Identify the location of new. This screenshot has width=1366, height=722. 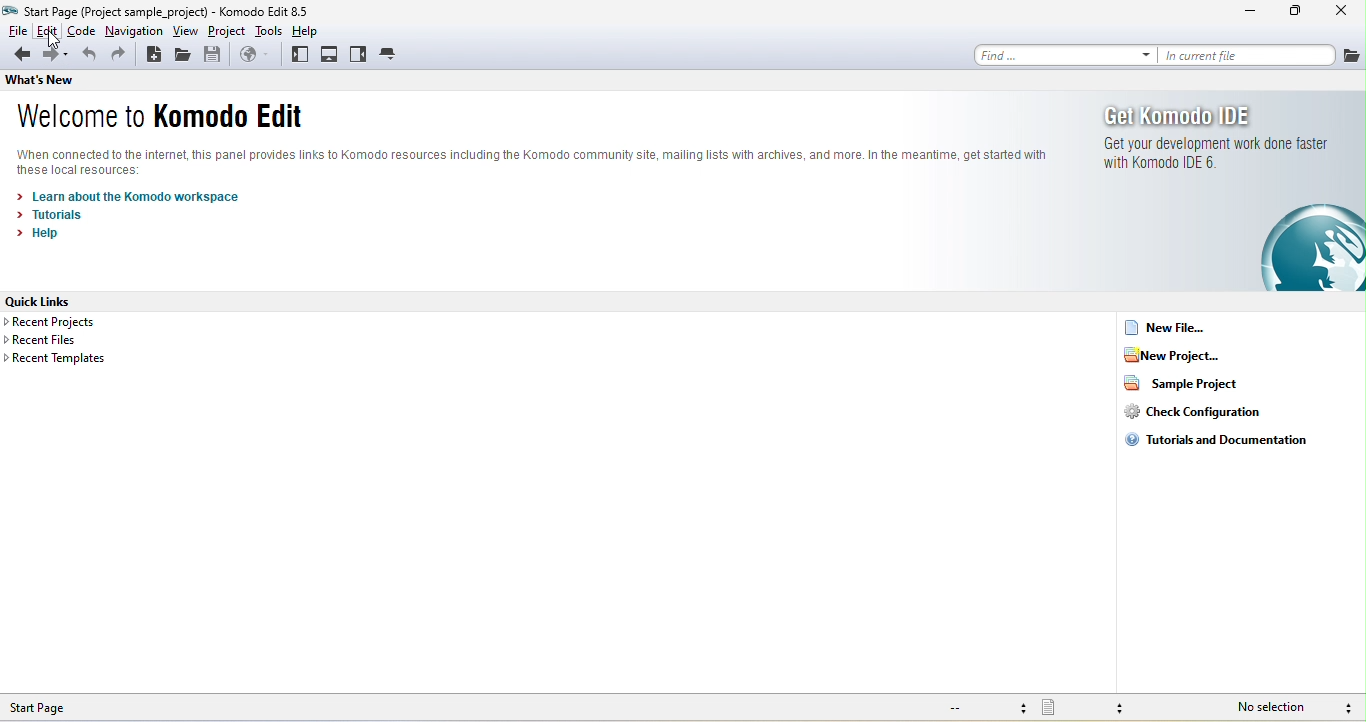
(153, 57).